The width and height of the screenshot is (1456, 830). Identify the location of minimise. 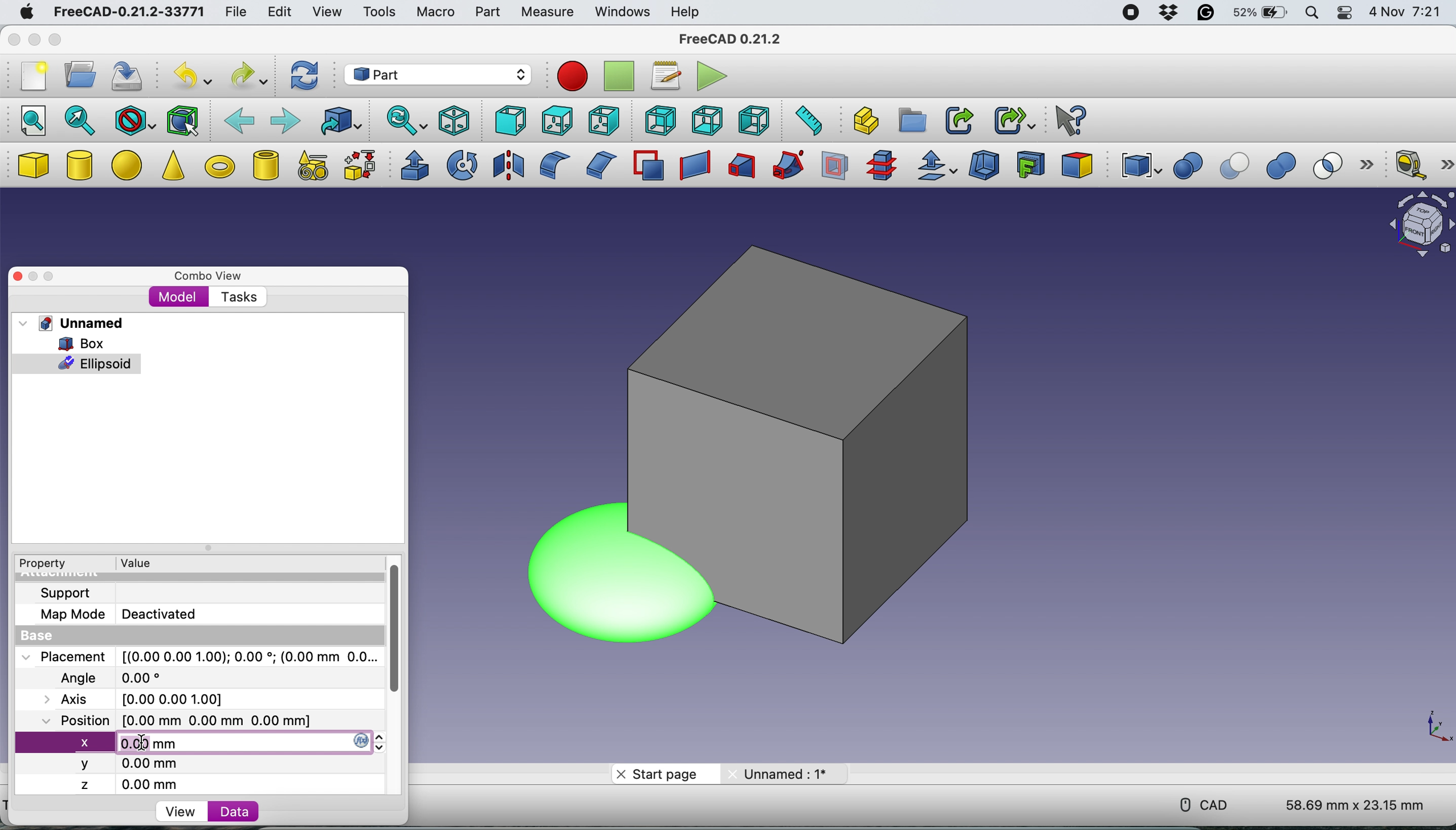
(32, 40).